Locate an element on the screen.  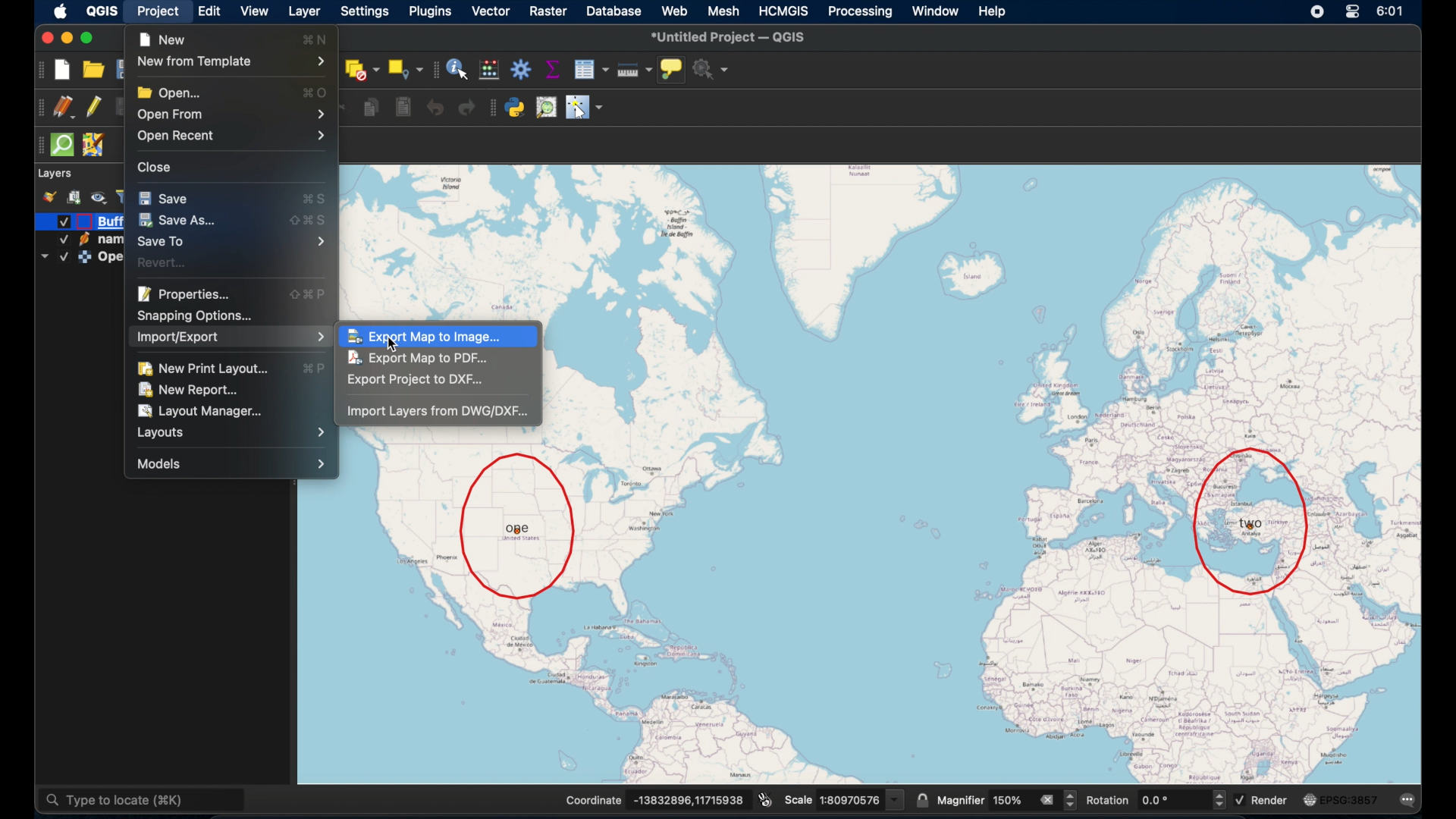
location two is located at coordinates (1251, 521).